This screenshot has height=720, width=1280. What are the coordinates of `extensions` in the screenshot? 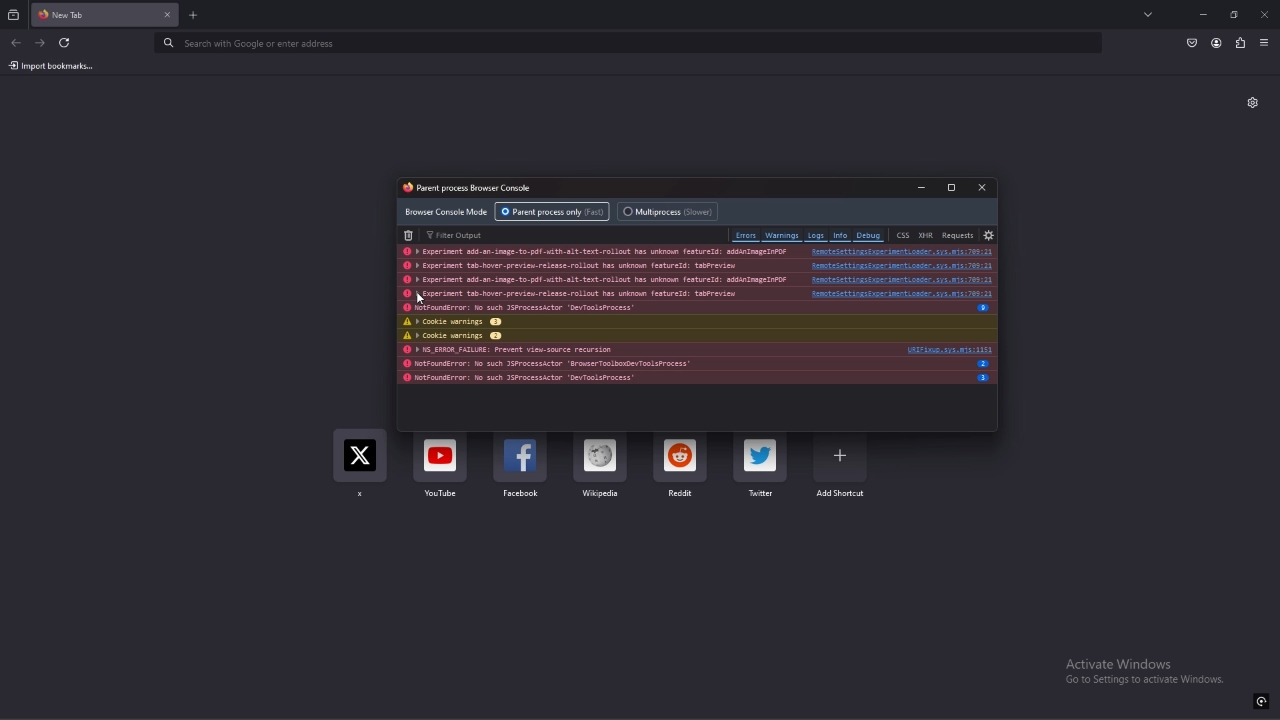 It's located at (1240, 44).